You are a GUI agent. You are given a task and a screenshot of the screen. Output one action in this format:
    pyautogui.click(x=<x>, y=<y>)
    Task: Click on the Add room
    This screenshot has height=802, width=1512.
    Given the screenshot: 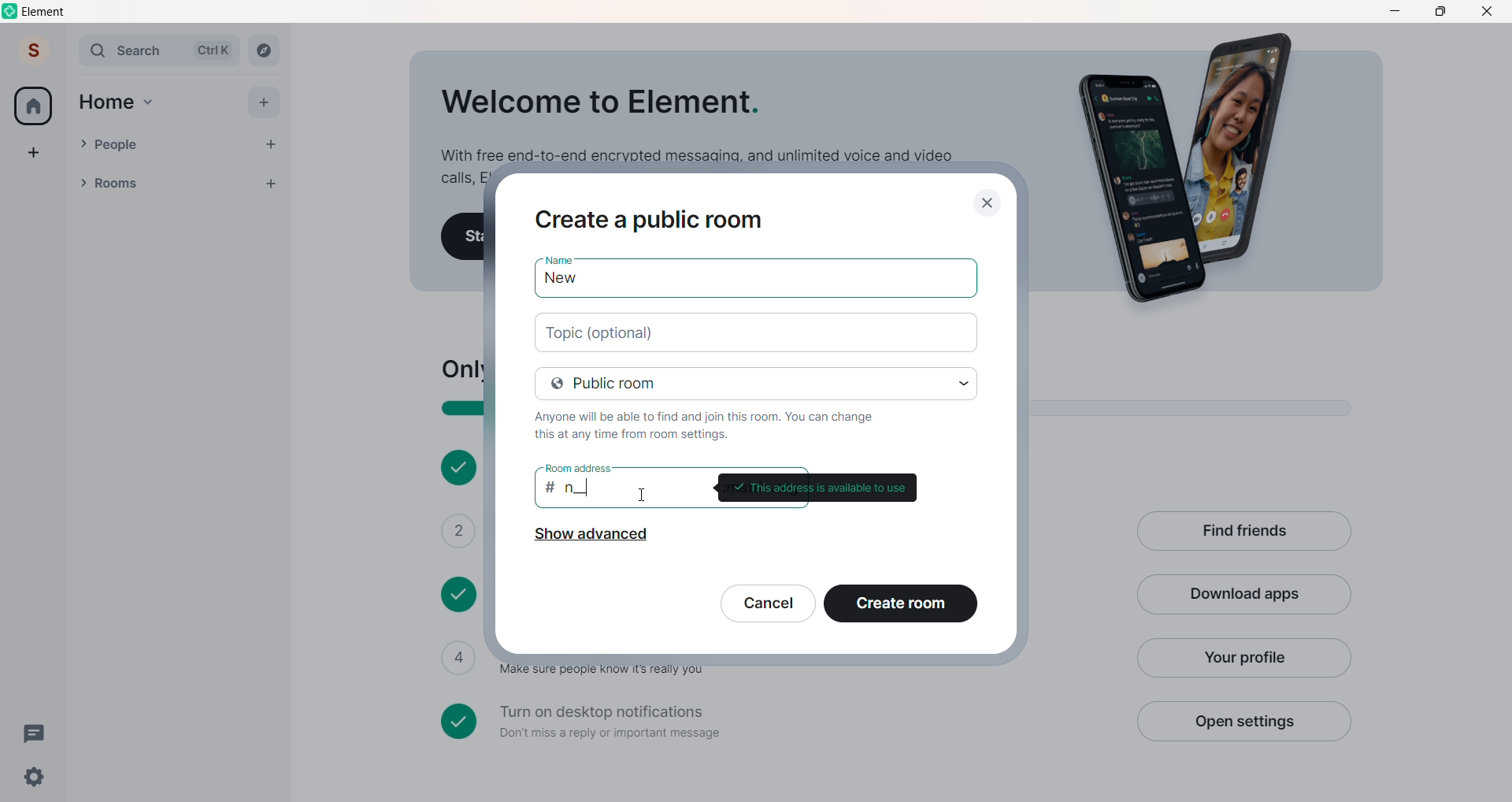 What is the action you would take?
    pyautogui.click(x=276, y=181)
    